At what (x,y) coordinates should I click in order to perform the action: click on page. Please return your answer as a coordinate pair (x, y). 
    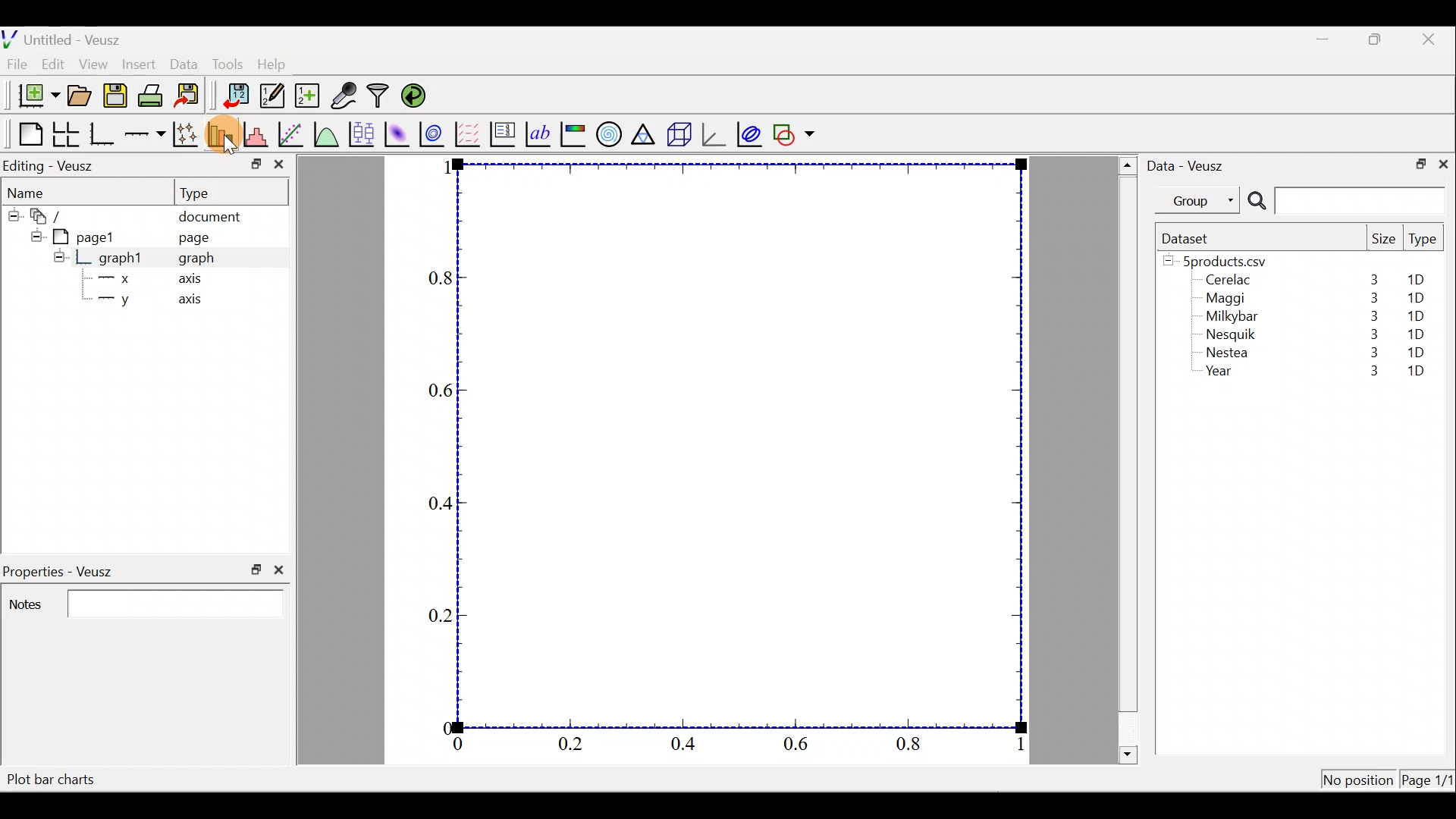
    Looking at the image, I should click on (193, 237).